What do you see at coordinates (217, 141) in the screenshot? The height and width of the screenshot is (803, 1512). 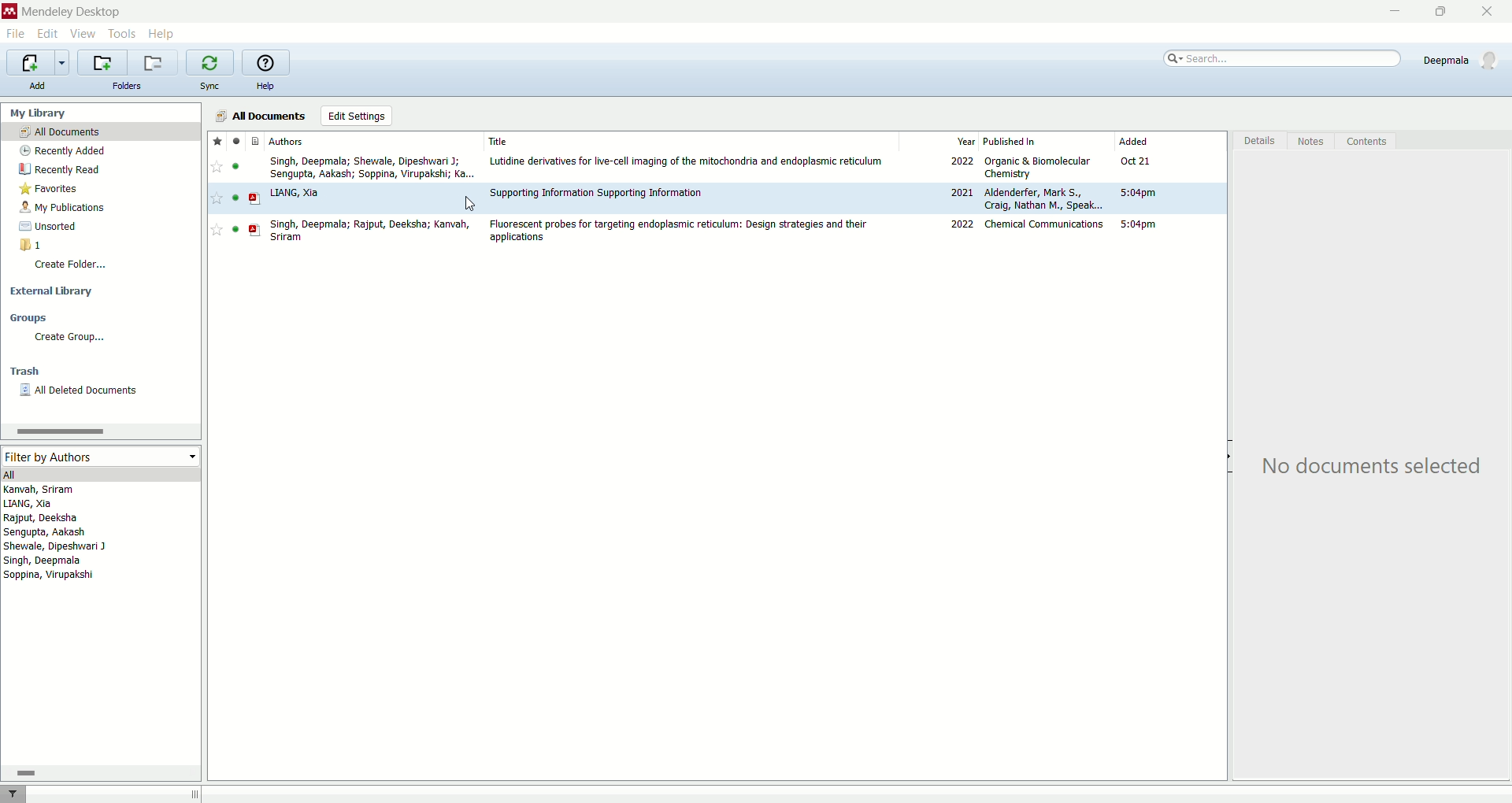 I see `favorites` at bounding box center [217, 141].